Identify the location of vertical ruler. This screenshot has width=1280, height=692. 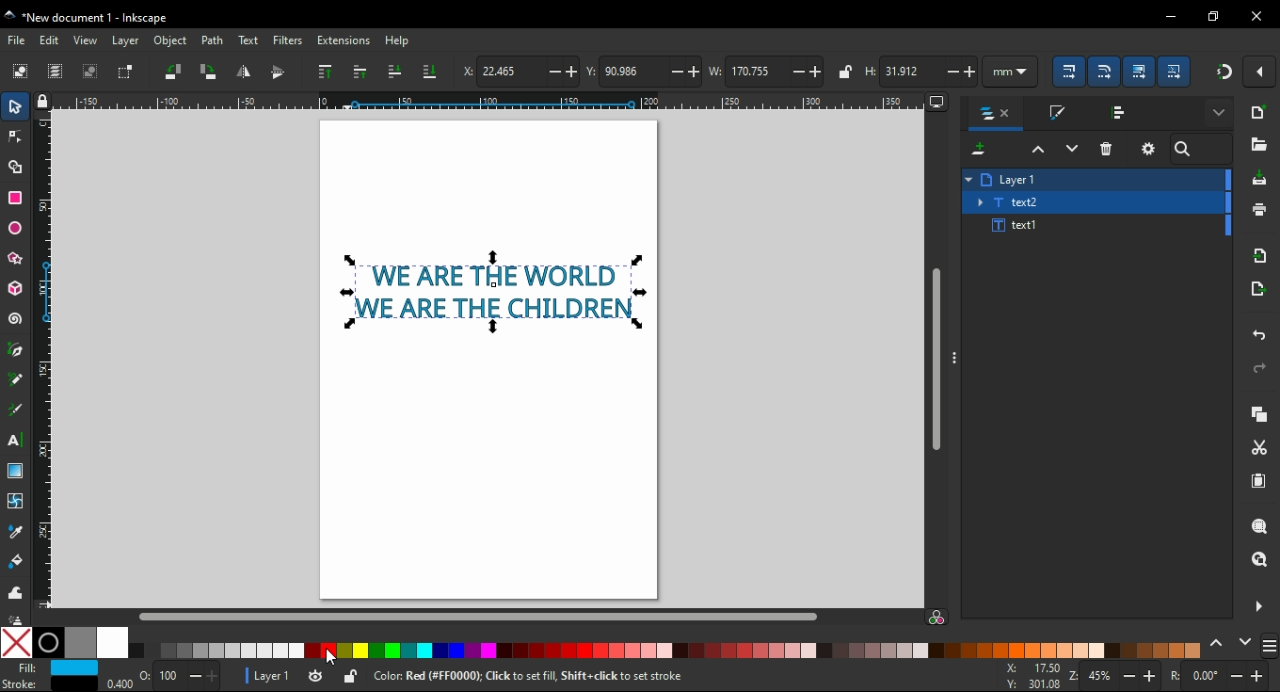
(50, 363).